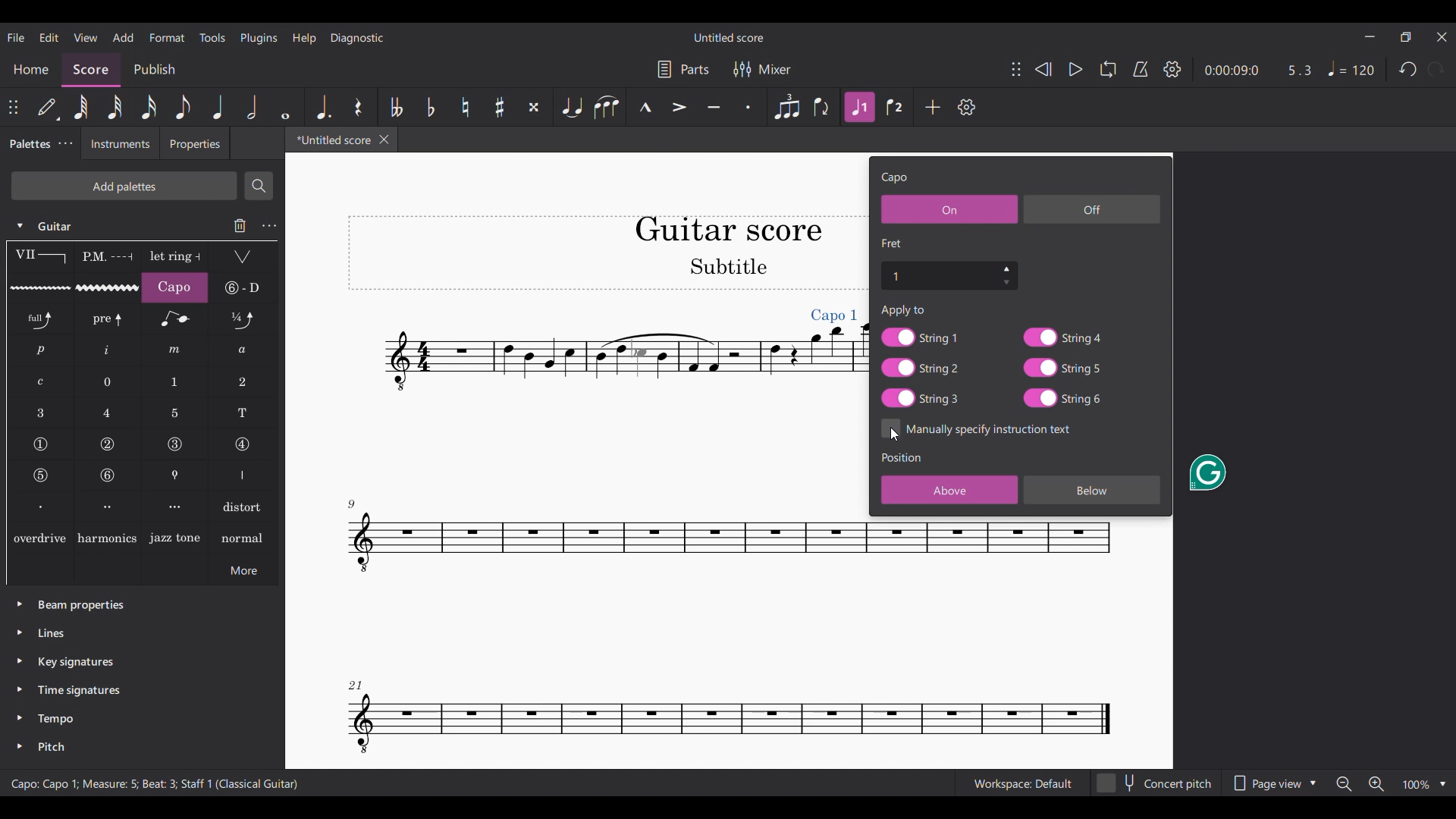 The width and height of the screenshot is (1456, 819). Describe the element at coordinates (243, 257) in the screenshot. I see `Tremolo bar` at that location.